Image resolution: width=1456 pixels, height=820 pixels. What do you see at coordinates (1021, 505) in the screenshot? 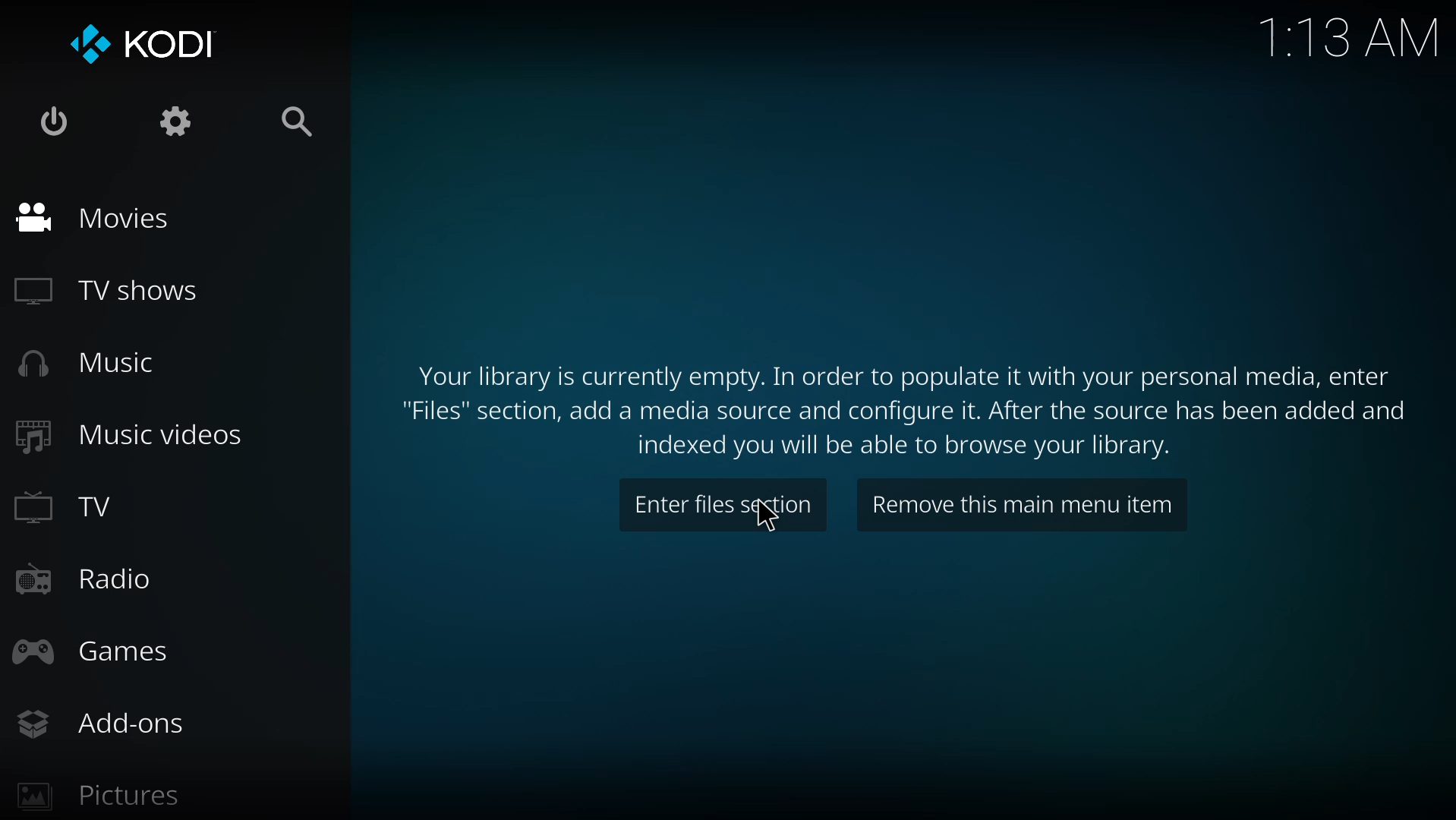
I see `remove this main menu item` at bounding box center [1021, 505].